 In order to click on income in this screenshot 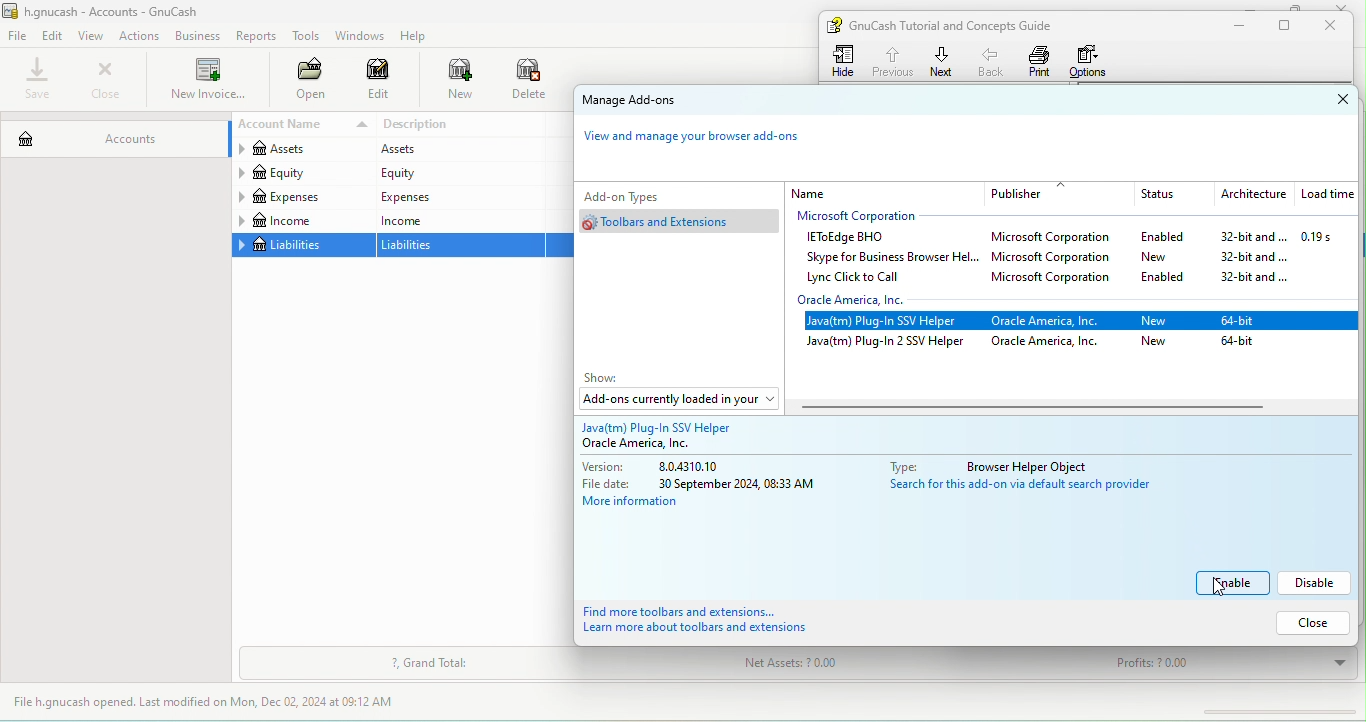, I will do `click(302, 221)`.